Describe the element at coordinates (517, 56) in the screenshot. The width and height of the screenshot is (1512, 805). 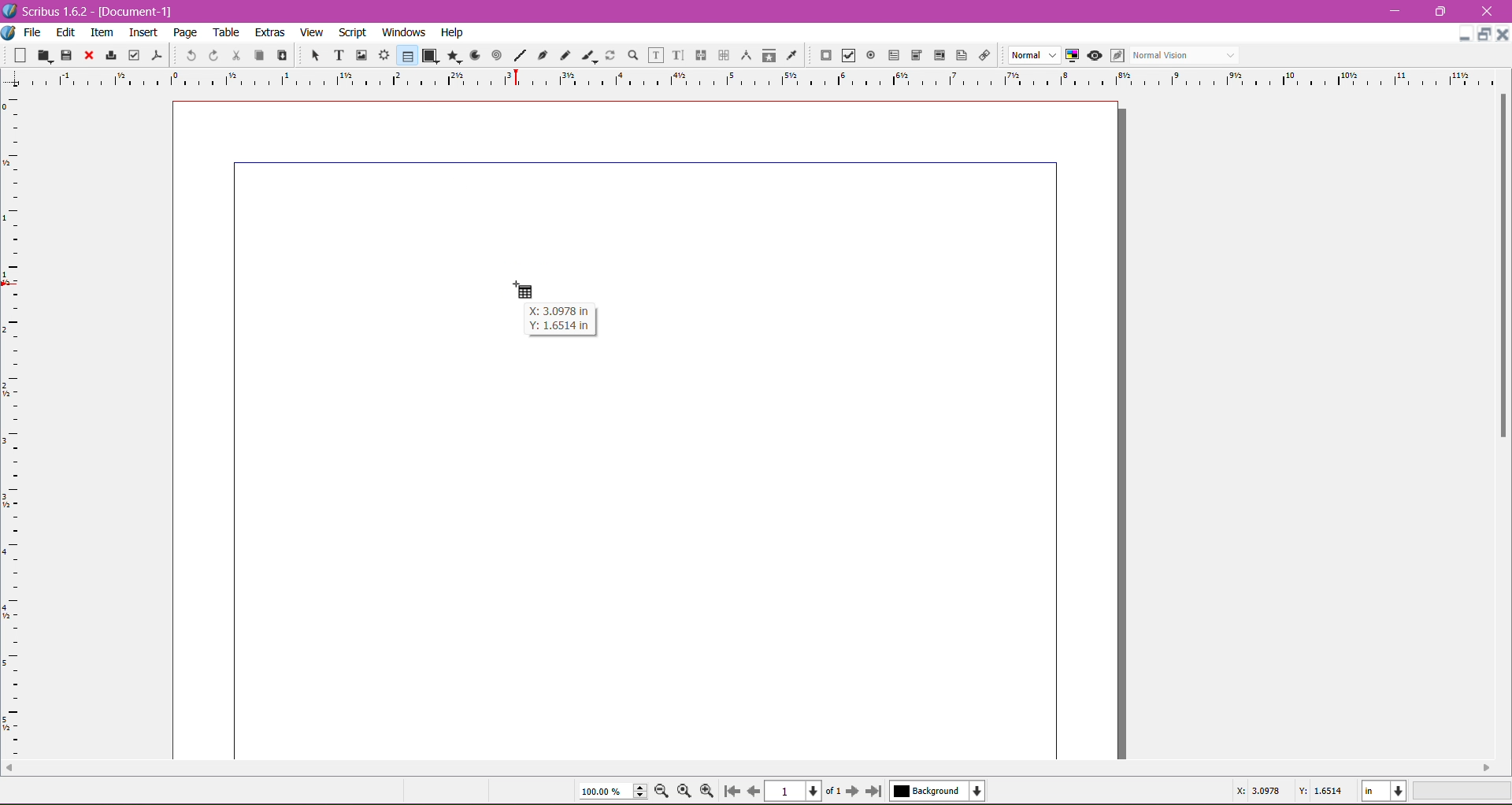
I see `Line` at that location.